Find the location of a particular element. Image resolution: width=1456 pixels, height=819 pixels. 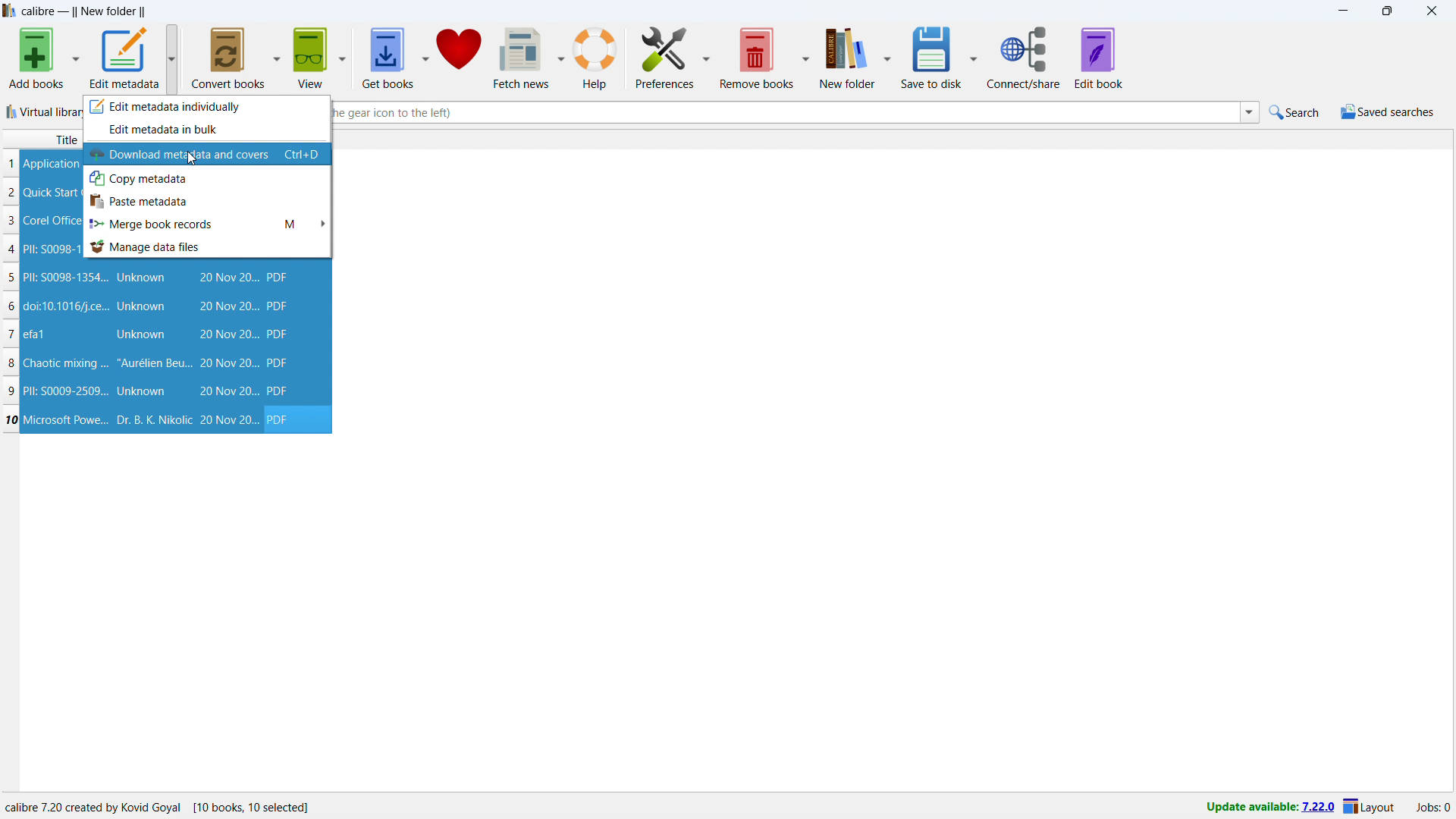

20 Nov 20... is located at coordinates (227, 363).